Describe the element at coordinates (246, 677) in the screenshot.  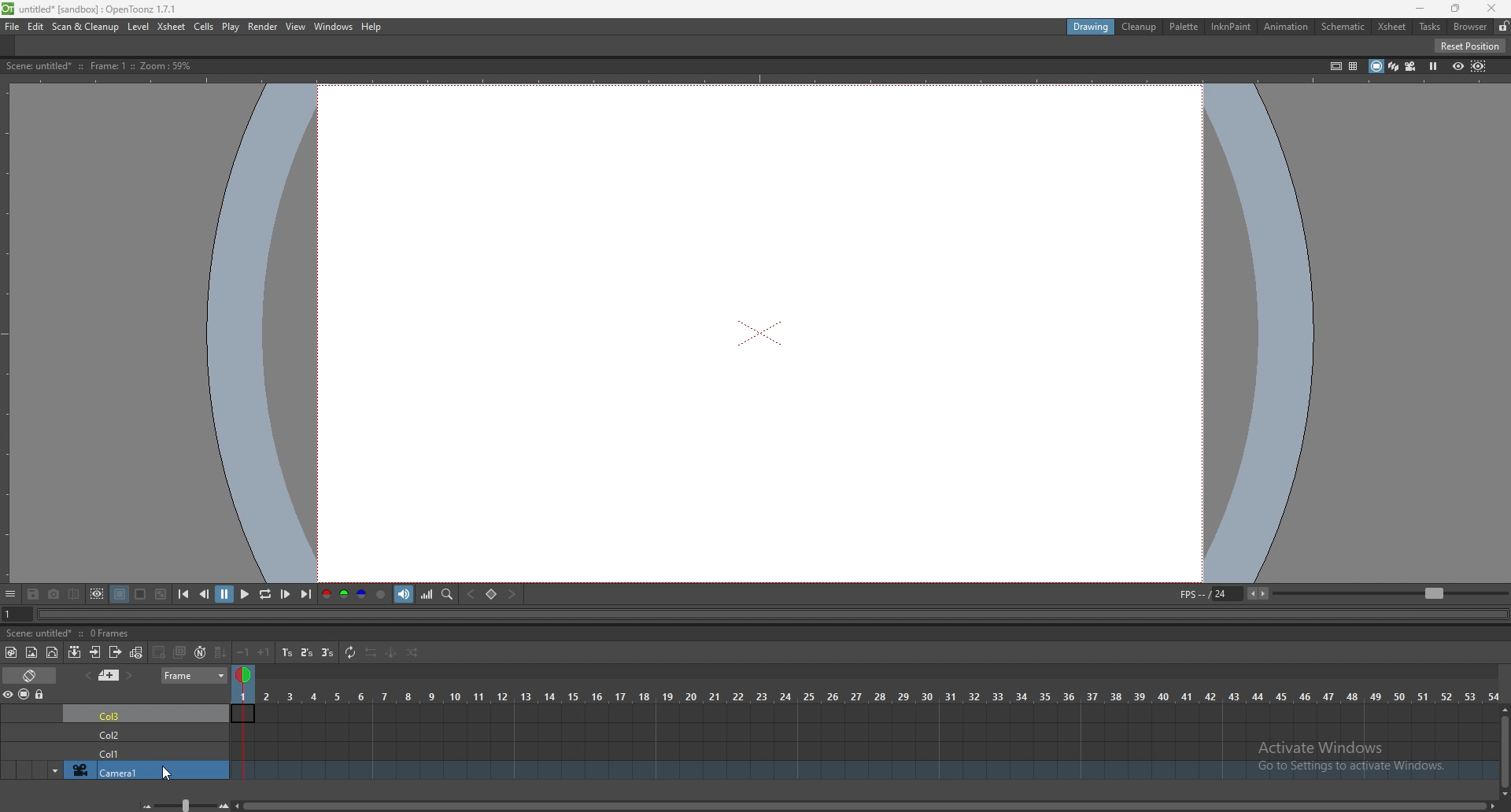
I see `time selector` at that location.